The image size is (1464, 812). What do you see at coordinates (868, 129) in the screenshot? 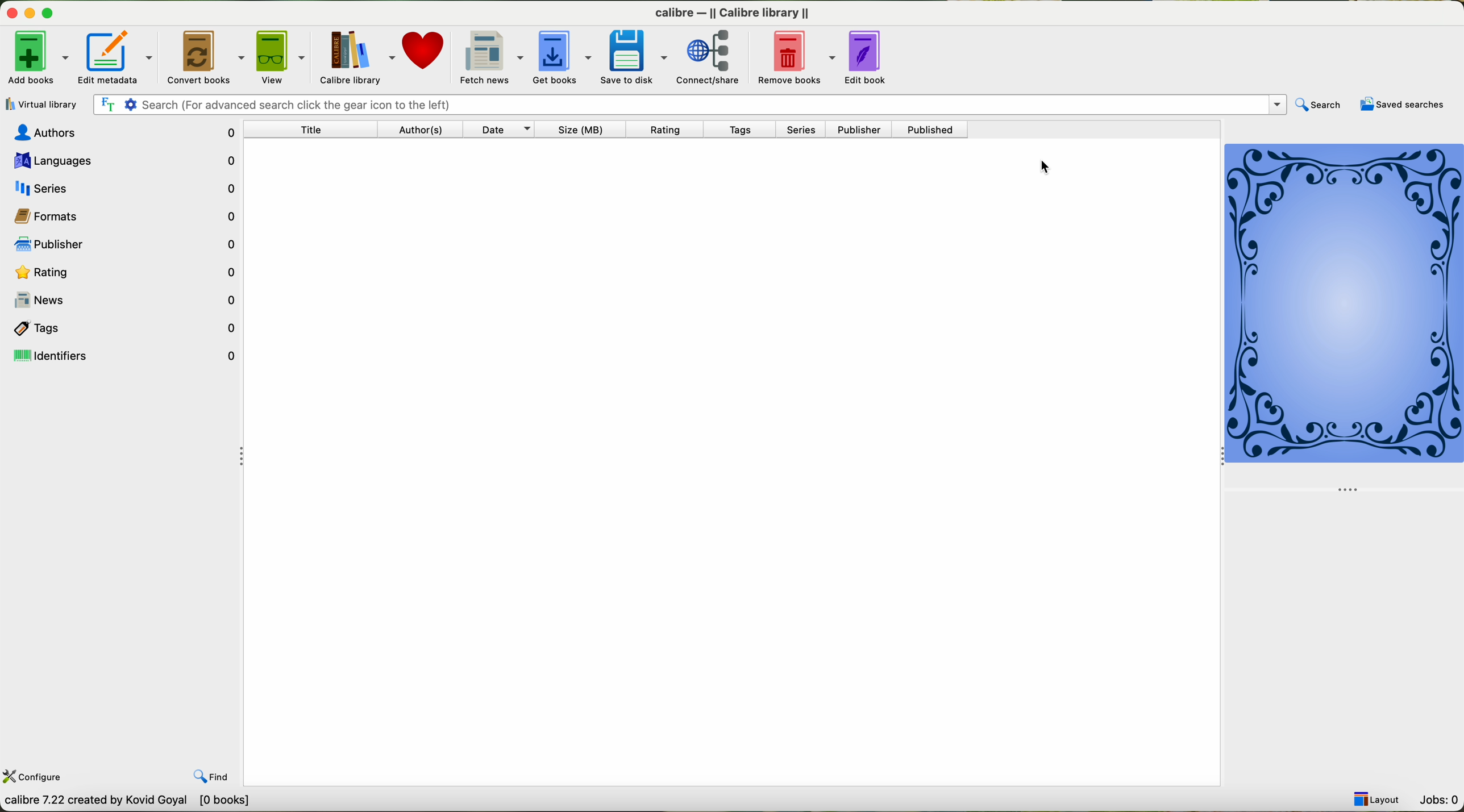
I see `publisher` at bounding box center [868, 129].